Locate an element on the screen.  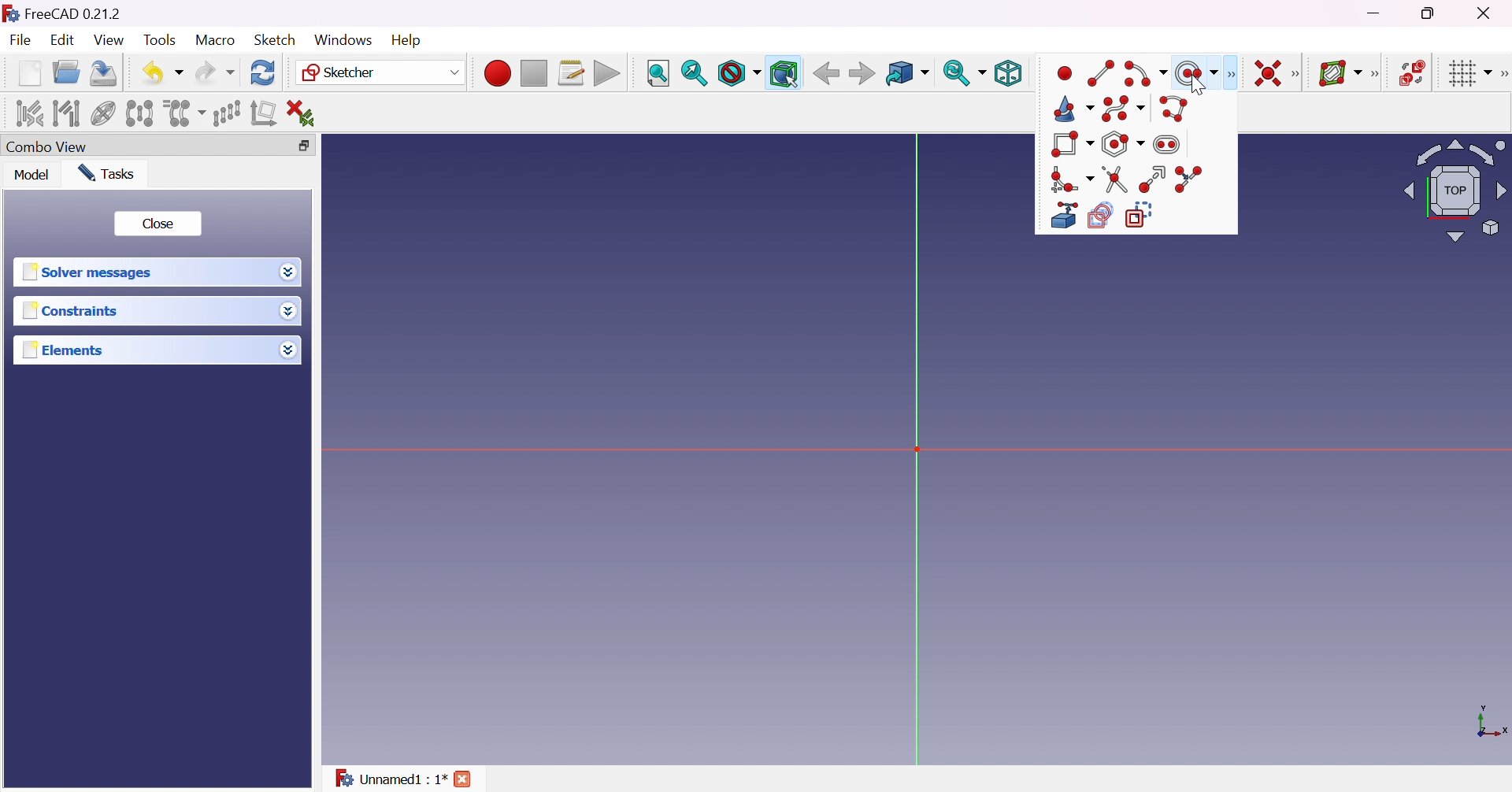
Create line is located at coordinates (1103, 72).